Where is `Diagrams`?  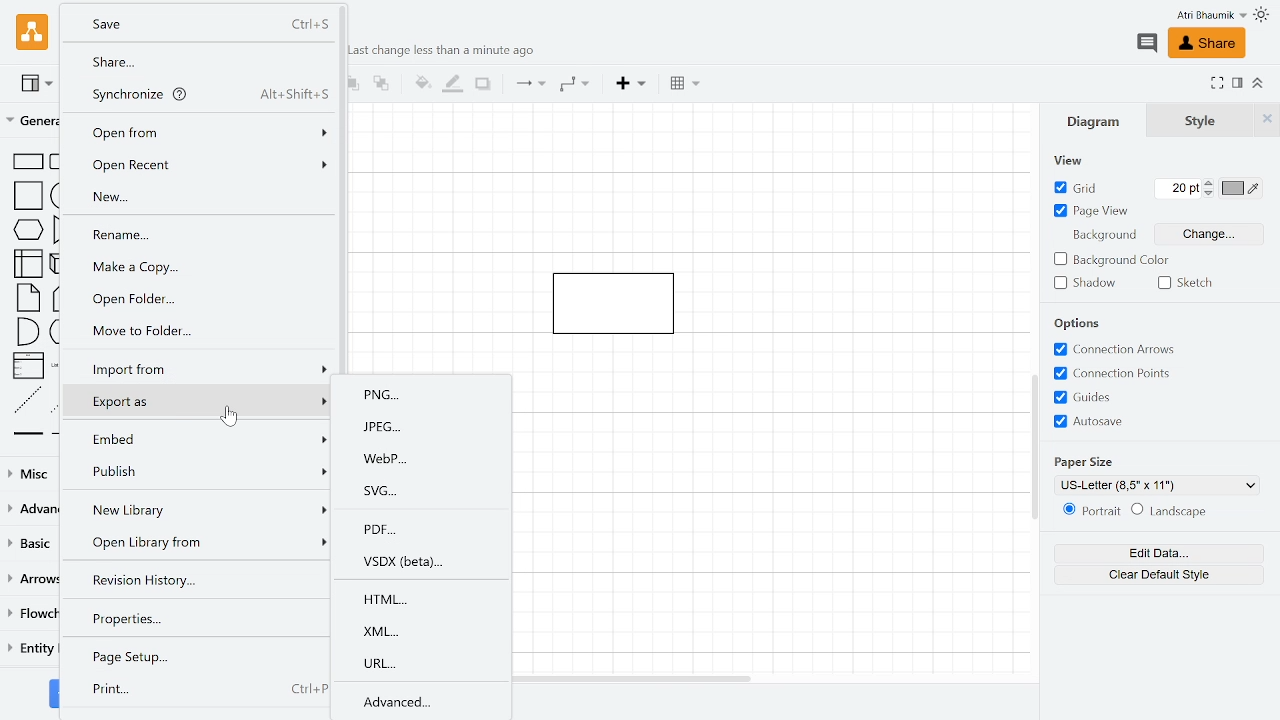 Diagrams is located at coordinates (1095, 124).